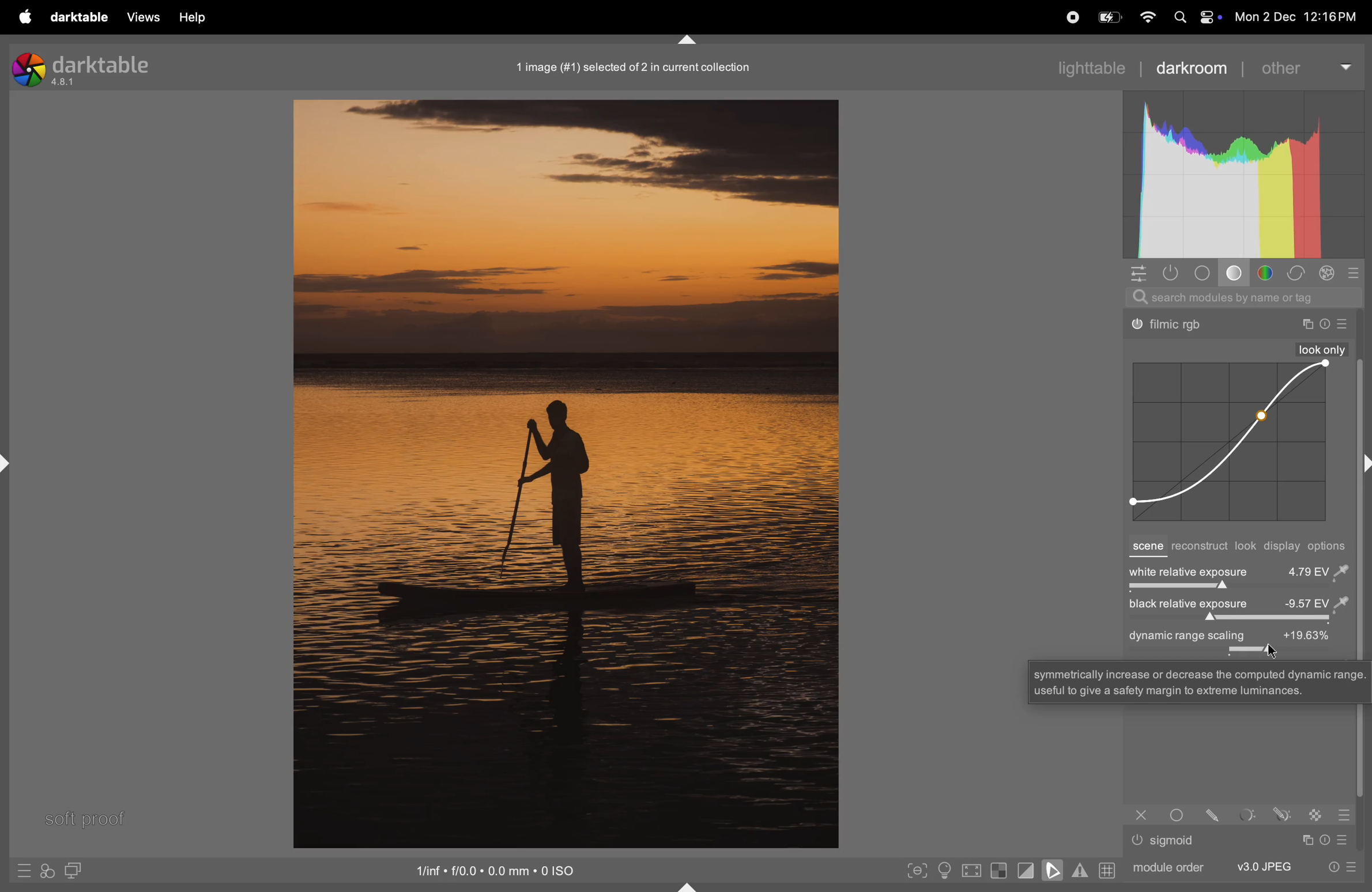 This screenshot has width=1372, height=892. What do you see at coordinates (1269, 273) in the screenshot?
I see `color` at bounding box center [1269, 273].